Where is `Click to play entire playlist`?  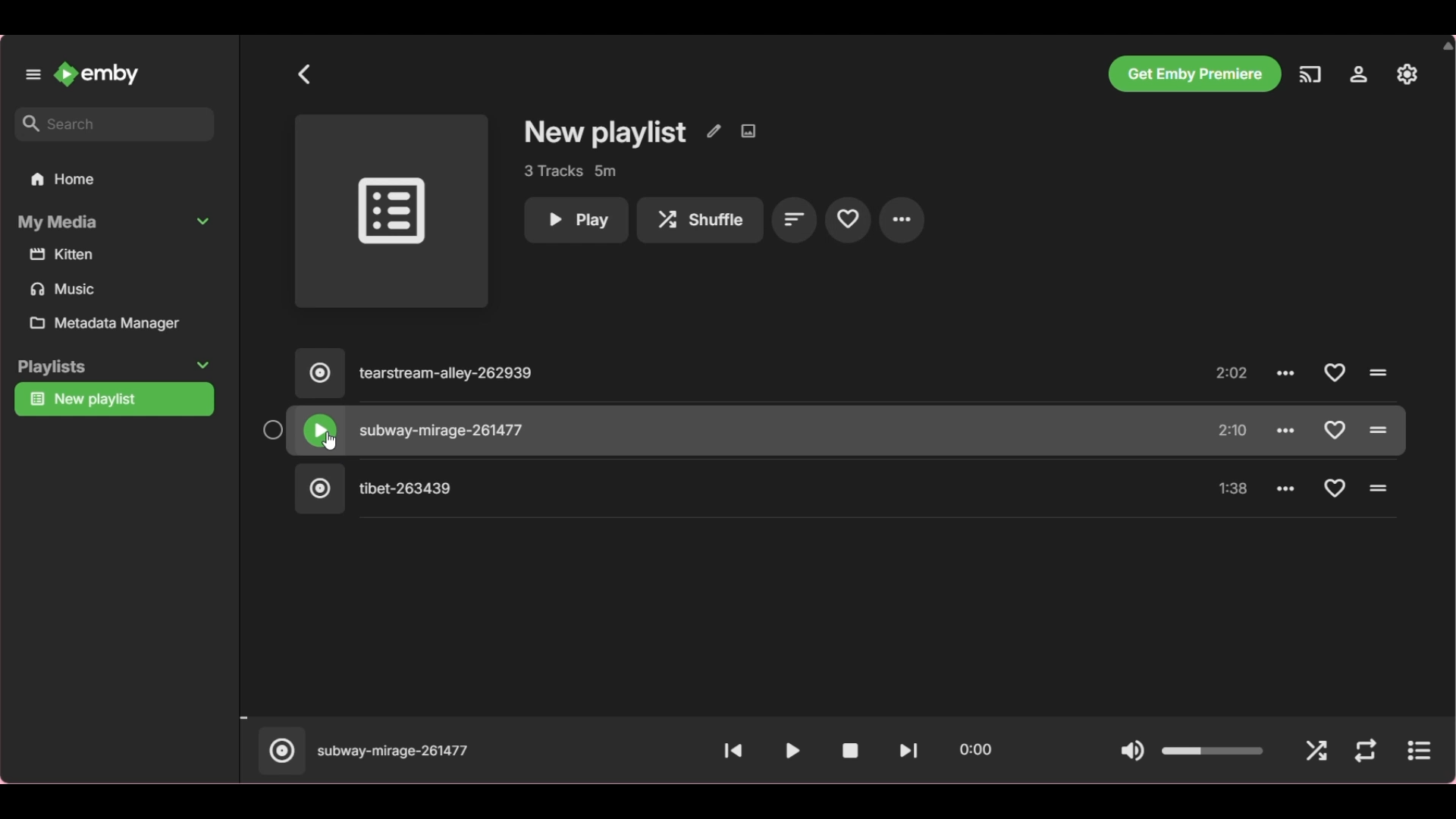
Click to play entire playlist is located at coordinates (391, 212).